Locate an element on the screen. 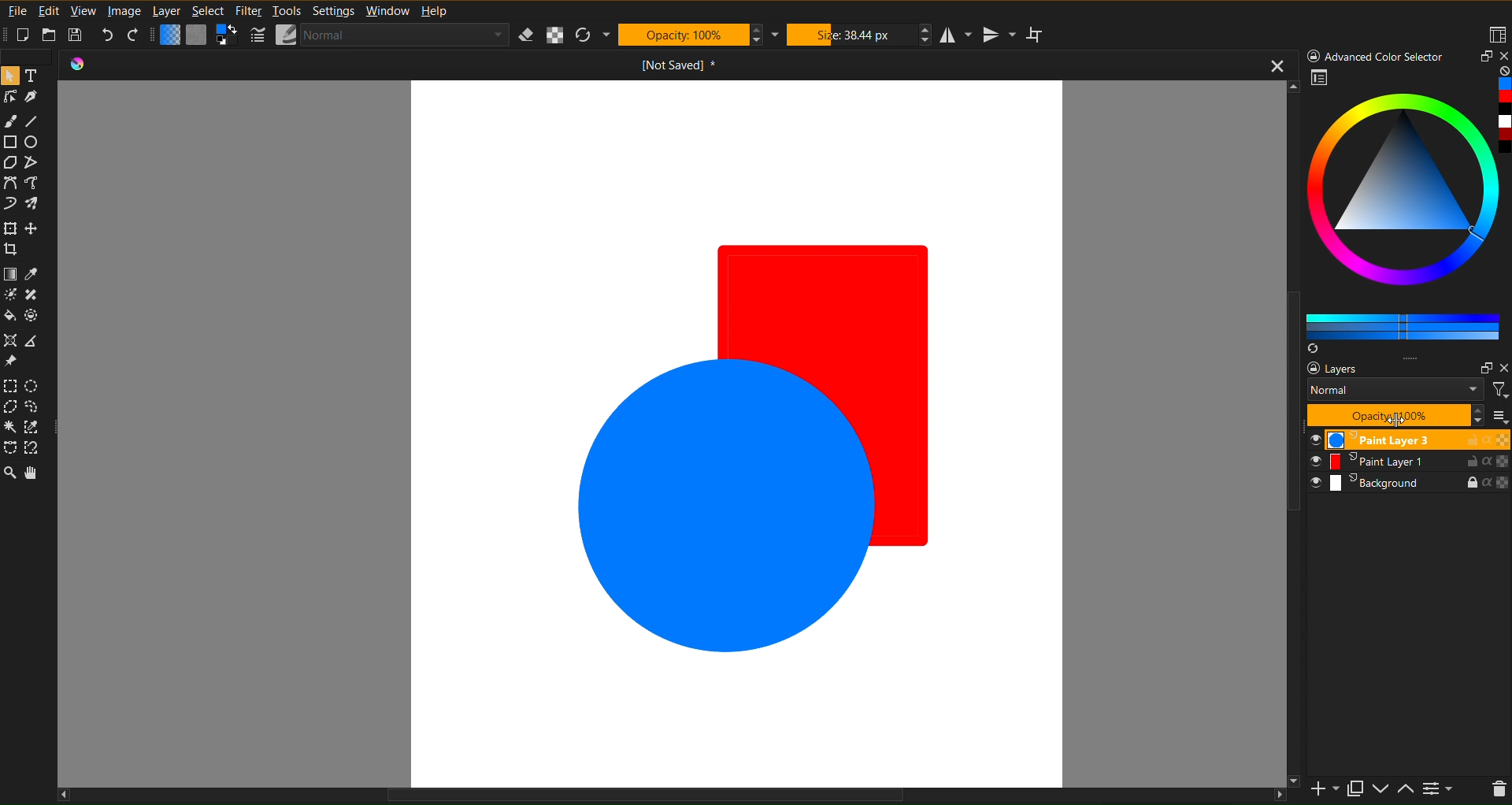 The height and width of the screenshot is (805, 1512). Selection Tool is located at coordinates (10, 386).